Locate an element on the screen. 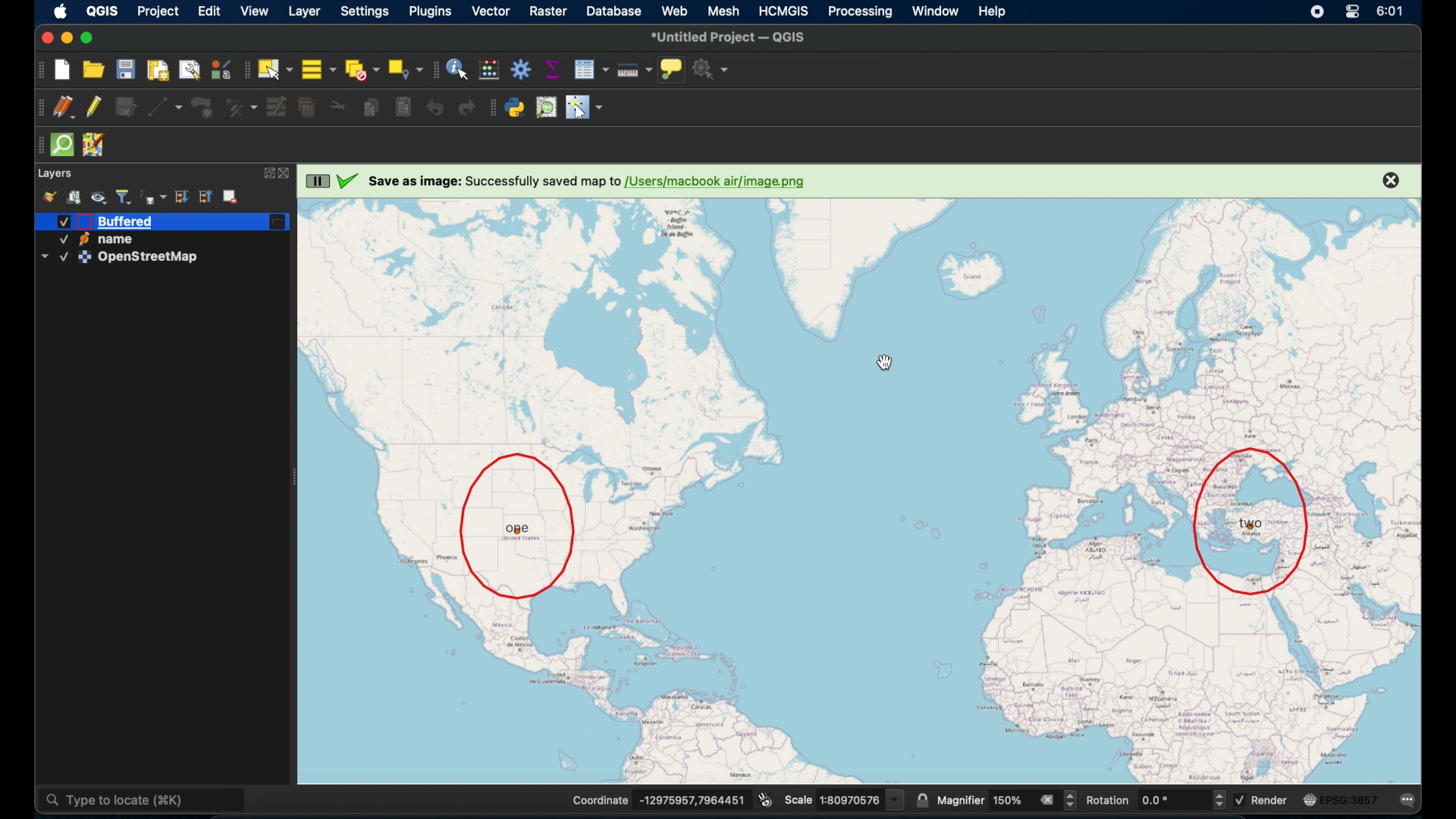 The width and height of the screenshot is (1456, 819). remove layer/group is located at coordinates (234, 197).